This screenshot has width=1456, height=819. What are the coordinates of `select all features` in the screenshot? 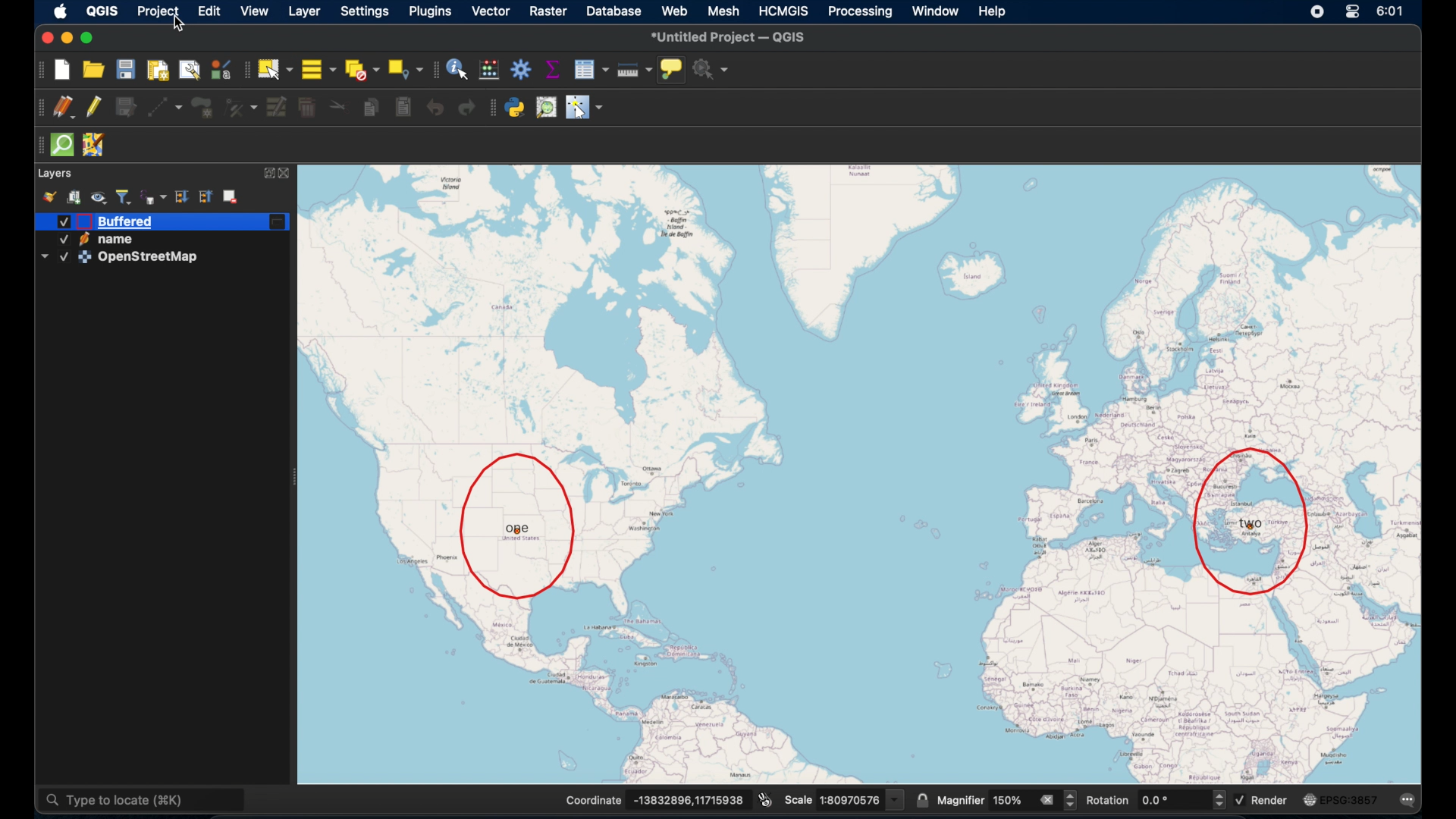 It's located at (317, 68).